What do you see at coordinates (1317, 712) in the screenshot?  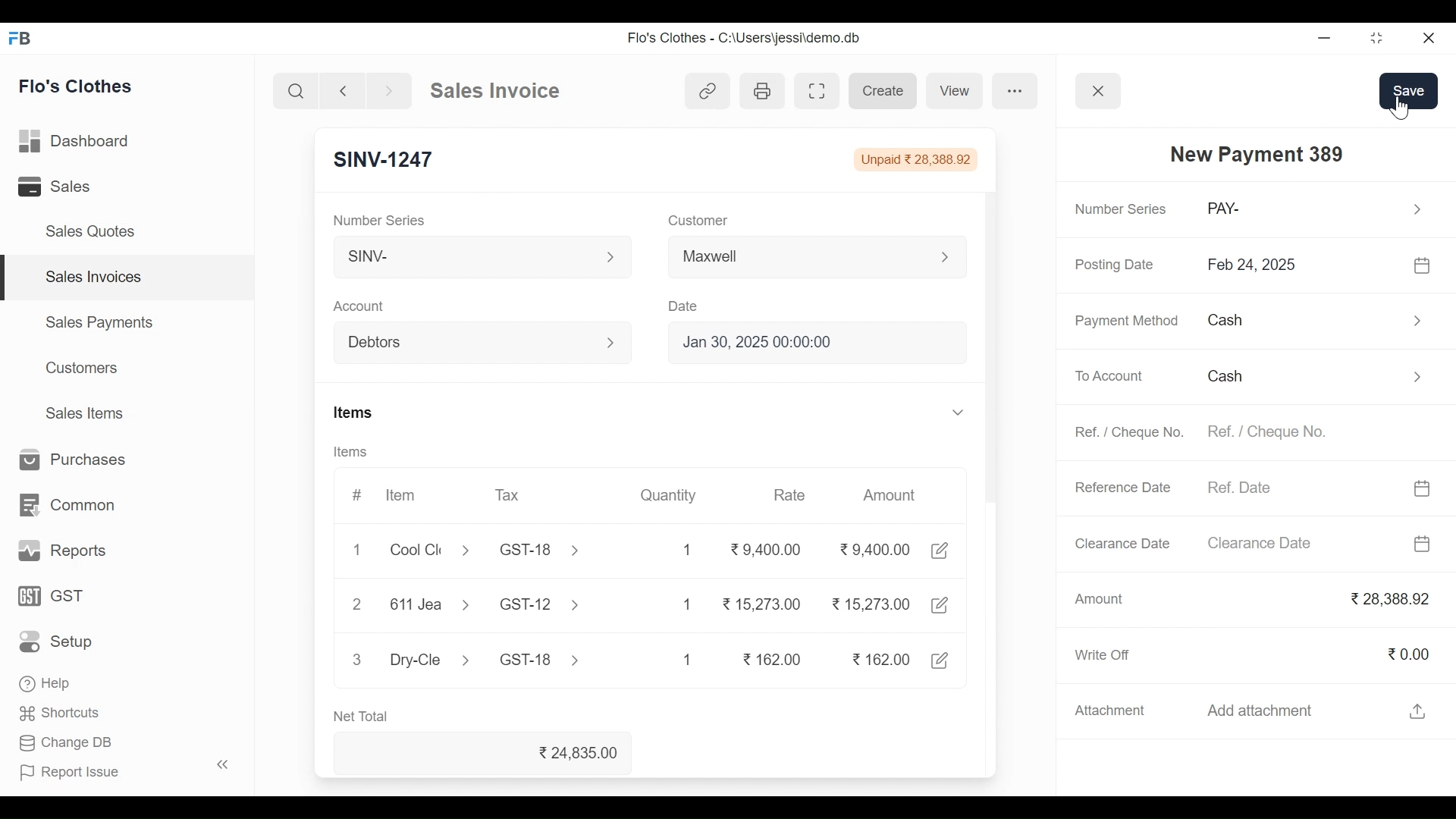 I see `Add attachment fi` at bounding box center [1317, 712].